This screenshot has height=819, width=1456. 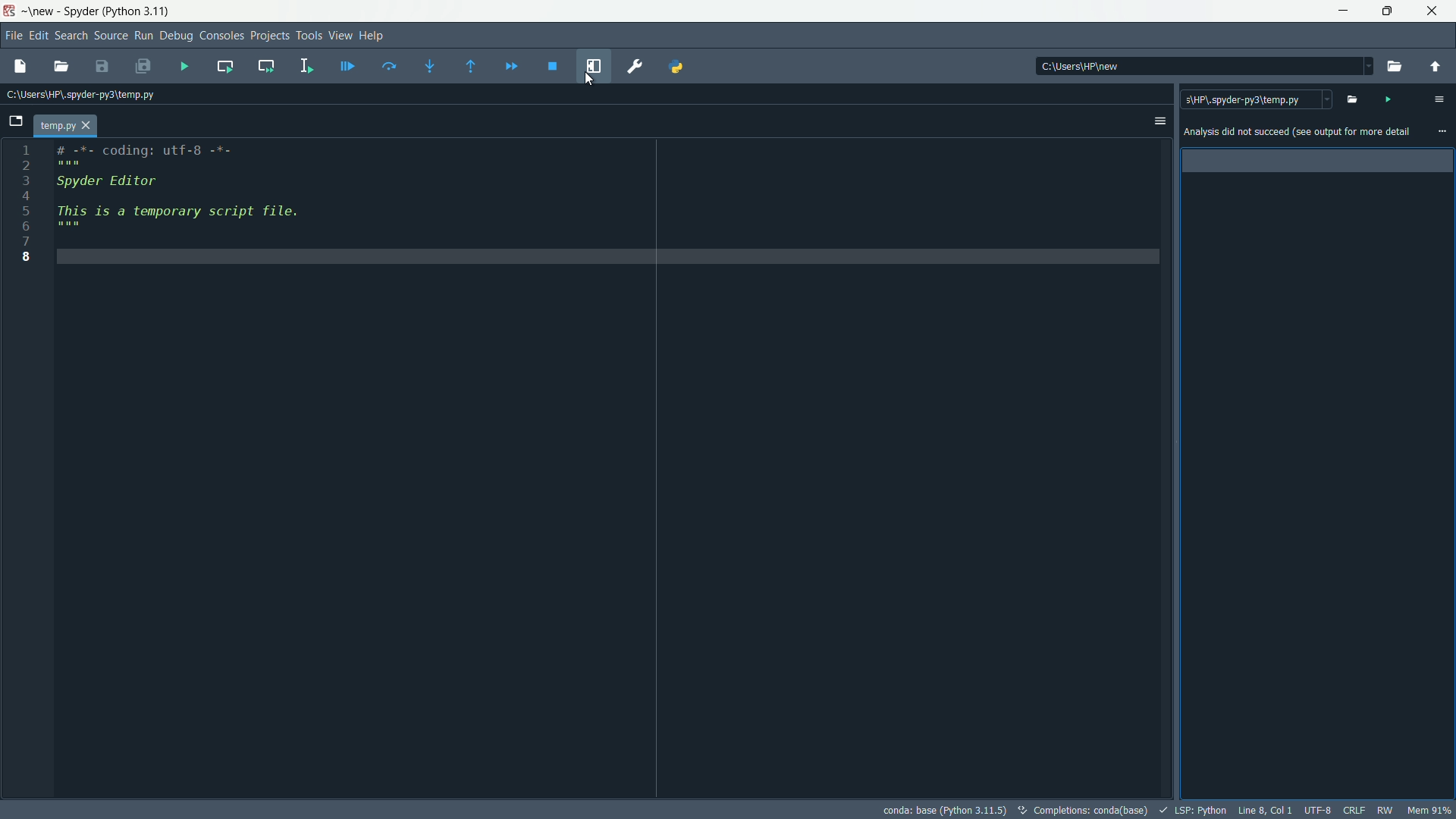 I want to click on maximize current pane, so click(x=594, y=66).